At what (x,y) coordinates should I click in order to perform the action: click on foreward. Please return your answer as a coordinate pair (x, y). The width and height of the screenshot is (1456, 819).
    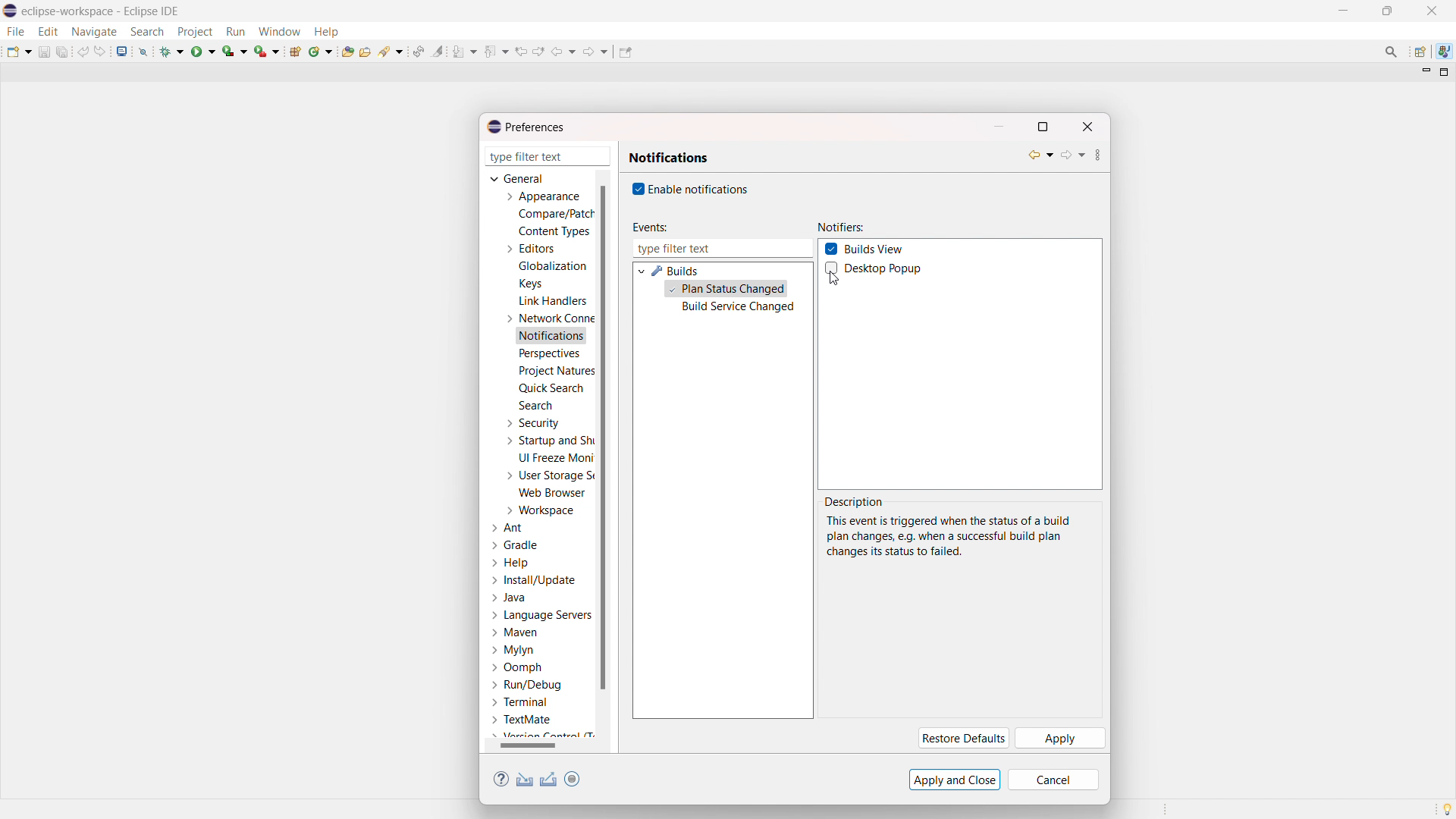
    Looking at the image, I should click on (596, 51).